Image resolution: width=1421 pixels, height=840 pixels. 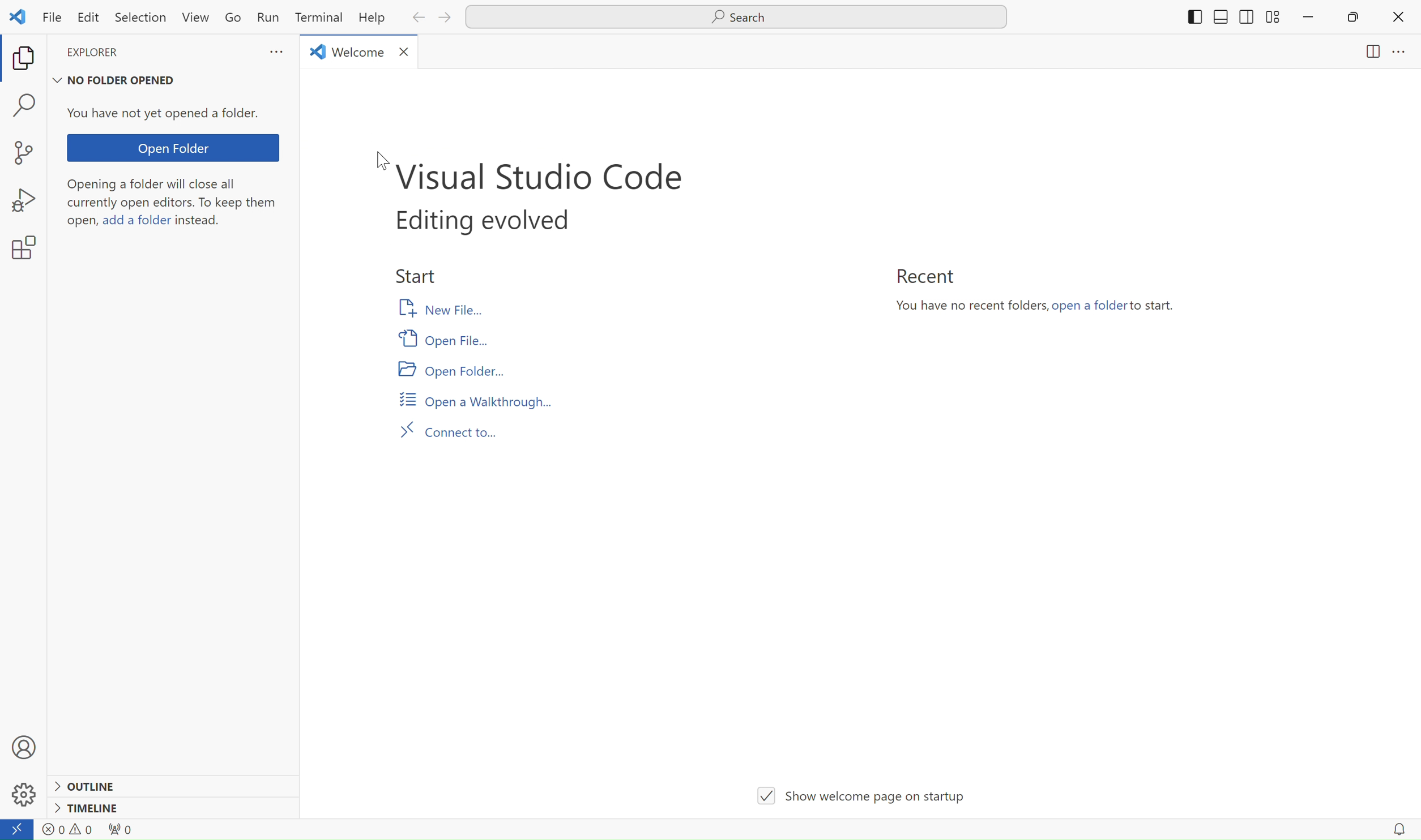 What do you see at coordinates (237, 19) in the screenshot?
I see `Go` at bounding box center [237, 19].